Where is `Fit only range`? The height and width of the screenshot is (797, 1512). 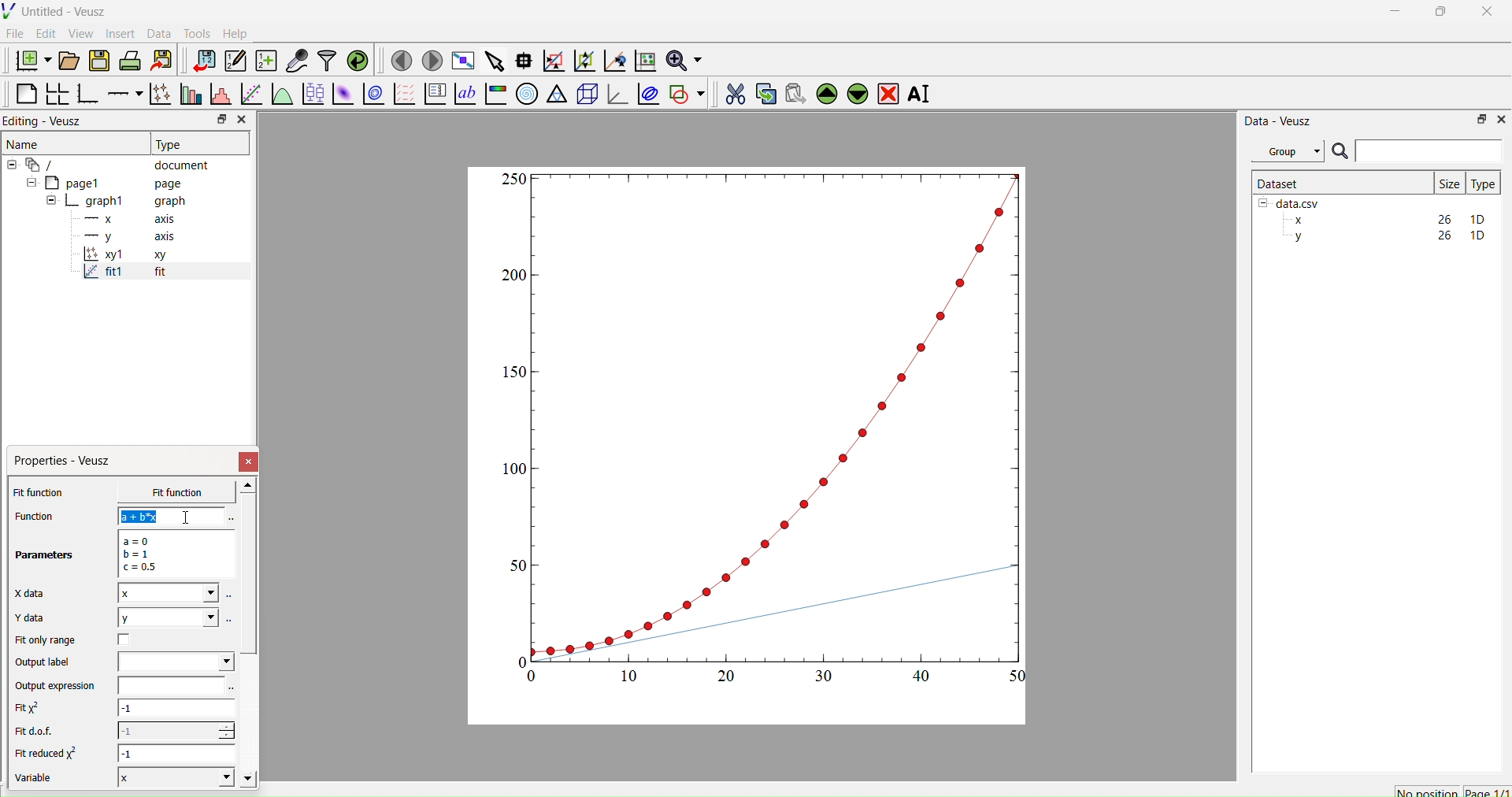 Fit only range is located at coordinates (46, 640).